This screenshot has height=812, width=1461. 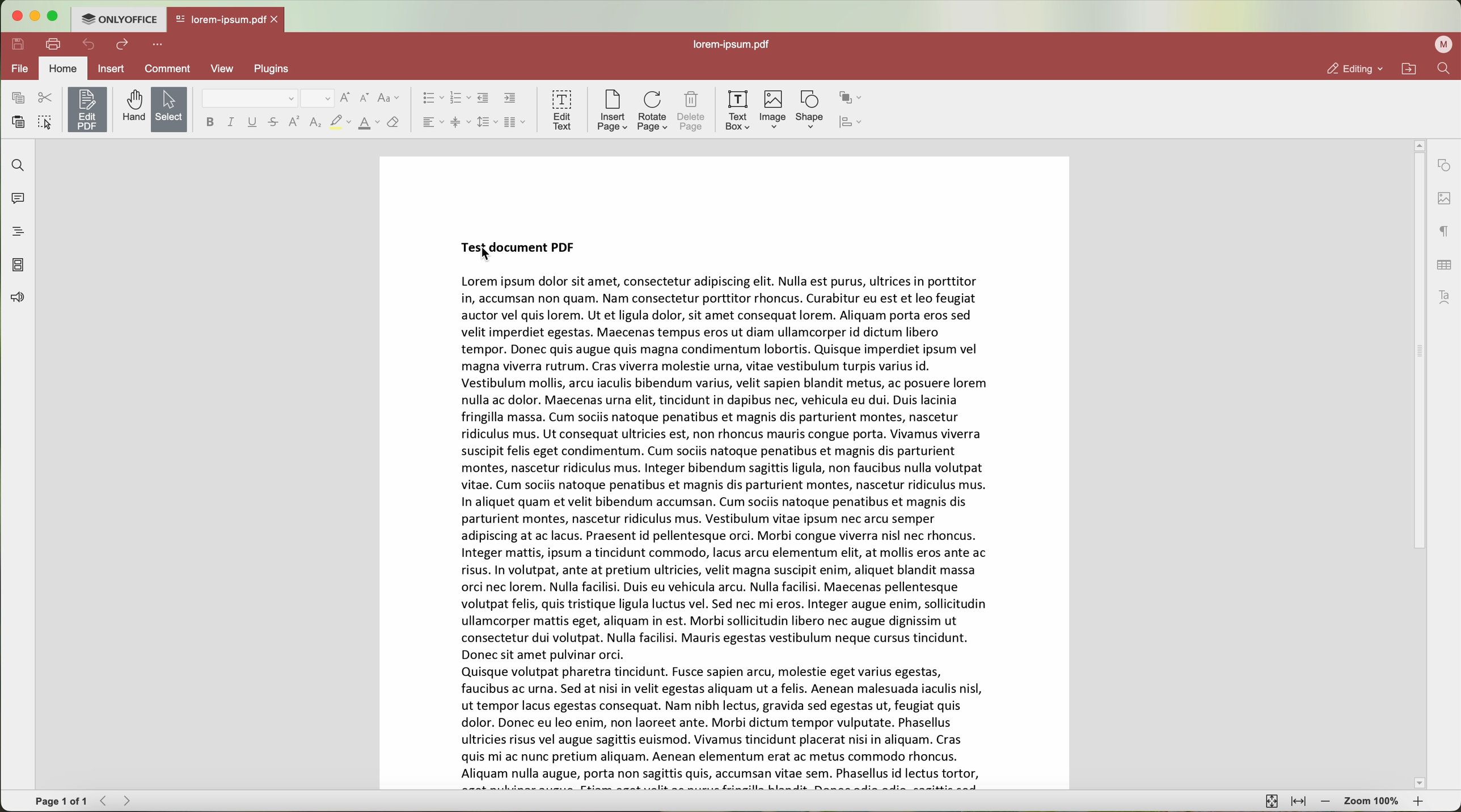 I want to click on editing, so click(x=1353, y=69).